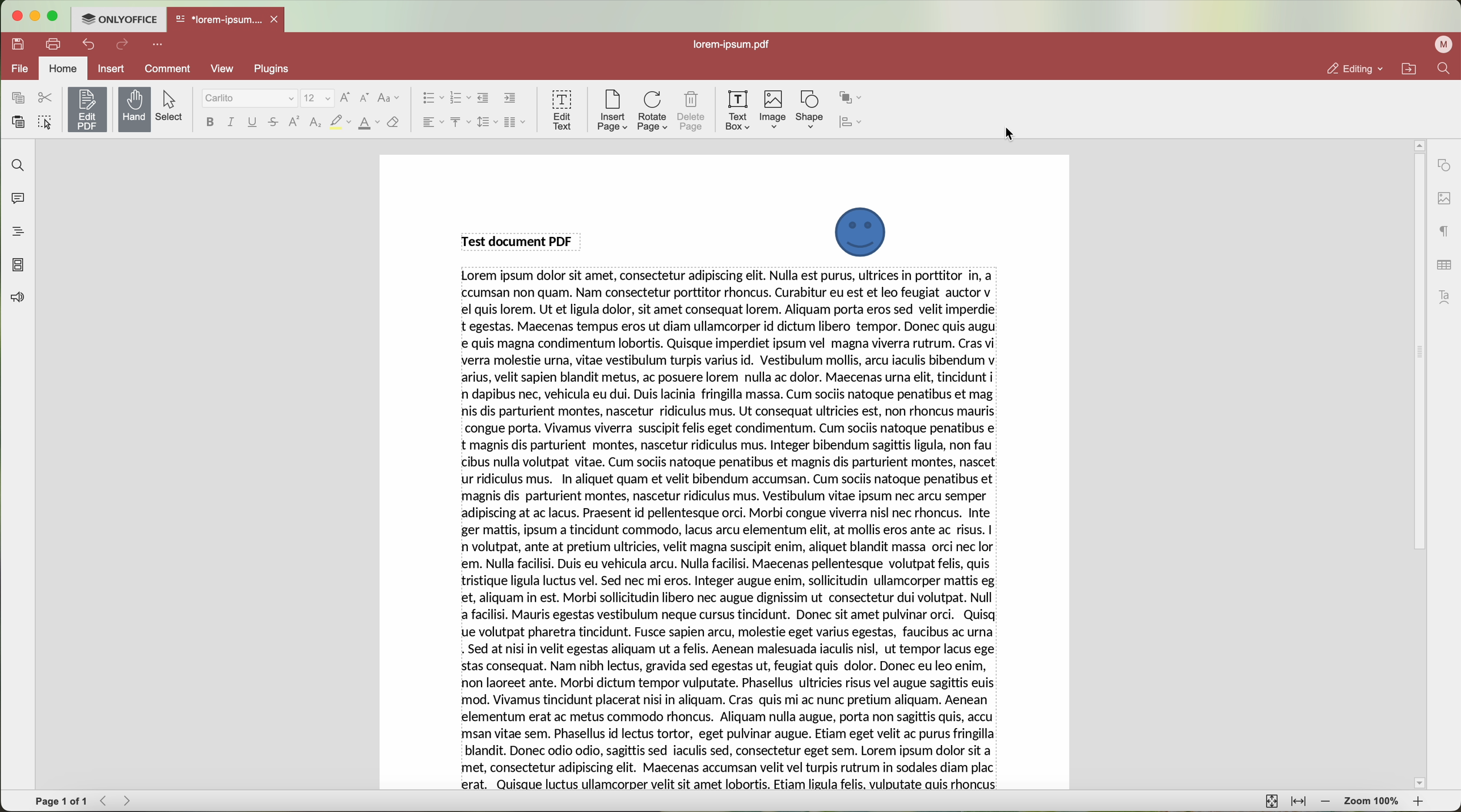  I want to click on fit to page, so click(1270, 801).